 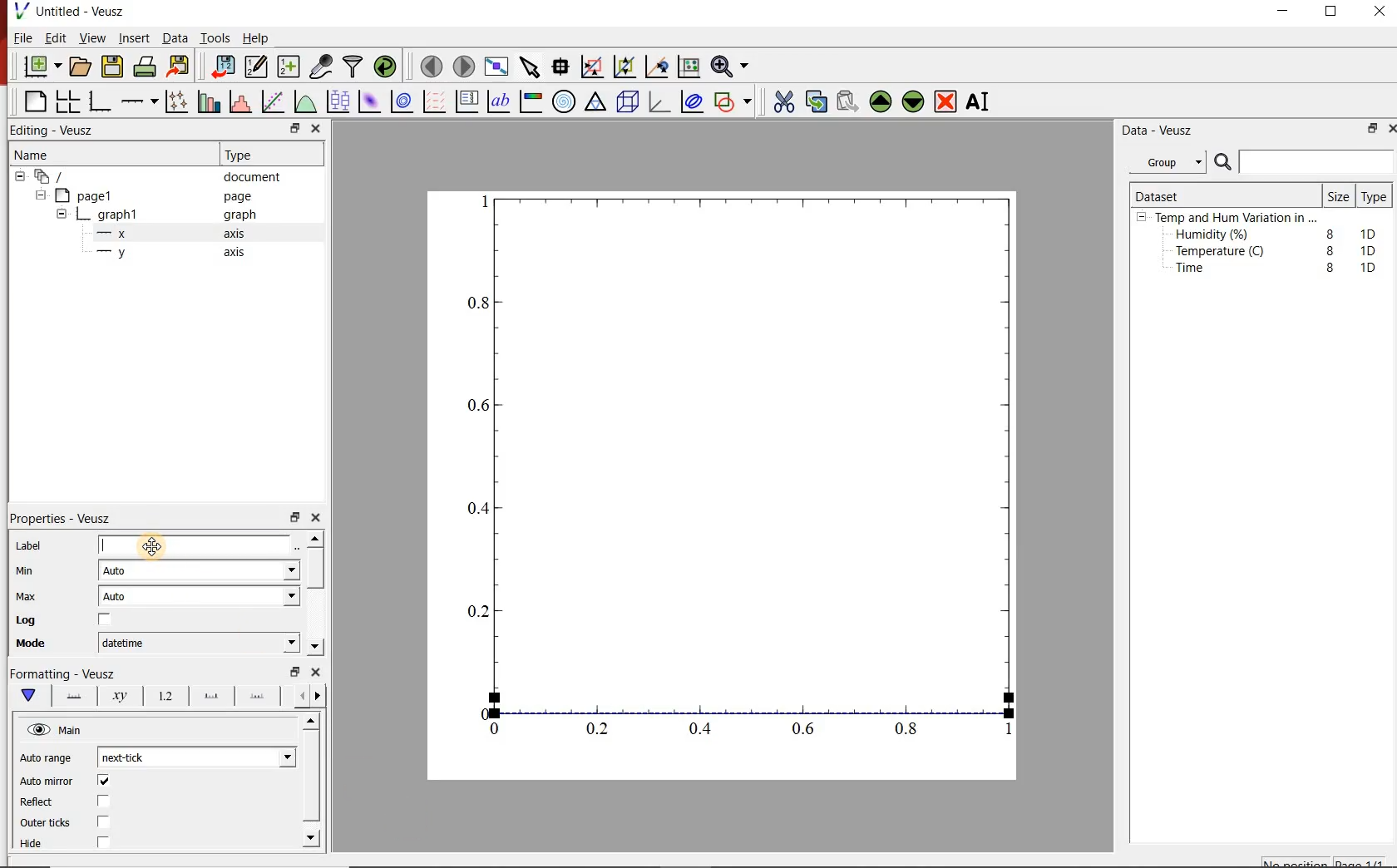 What do you see at coordinates (241, 197) in the screenshot?
I see `page` at bounding box center [241, 197].